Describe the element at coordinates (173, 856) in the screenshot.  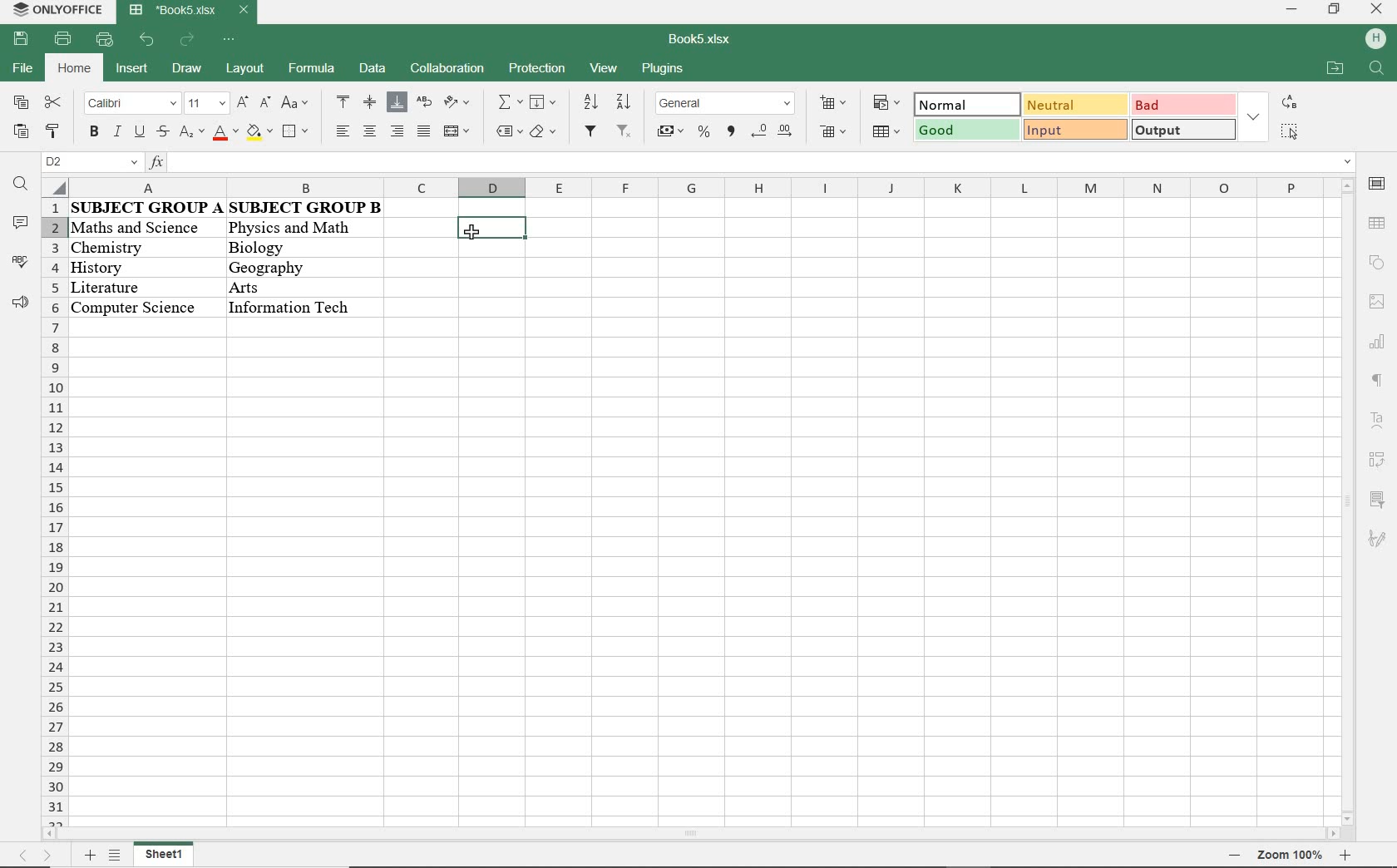
I see `sheet 1` at that location.